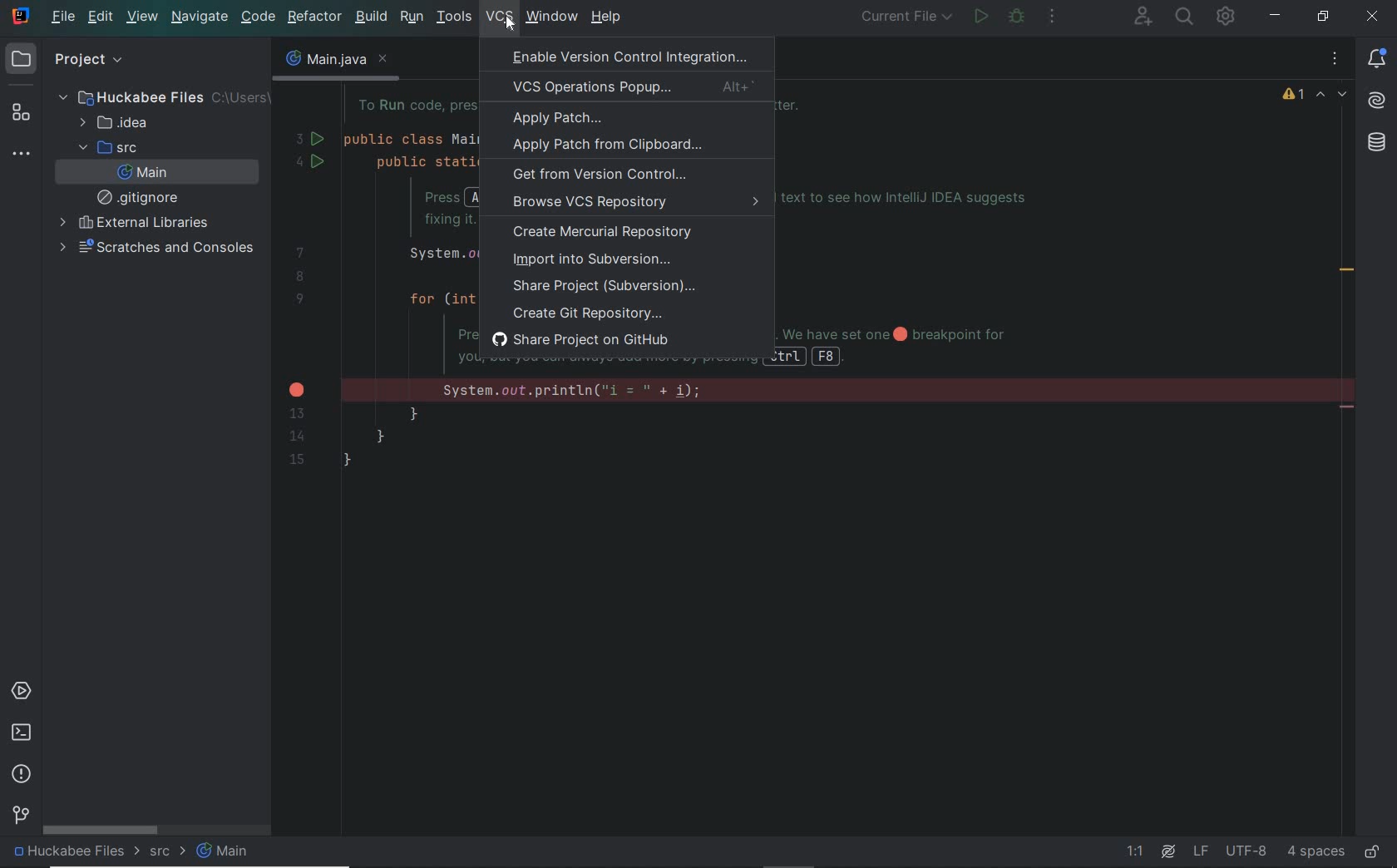 The image size is (1397, 868). What do you see at coordinates (1376, 144) in the screenshot?
I see `database` at bounding box center [1376, 144].